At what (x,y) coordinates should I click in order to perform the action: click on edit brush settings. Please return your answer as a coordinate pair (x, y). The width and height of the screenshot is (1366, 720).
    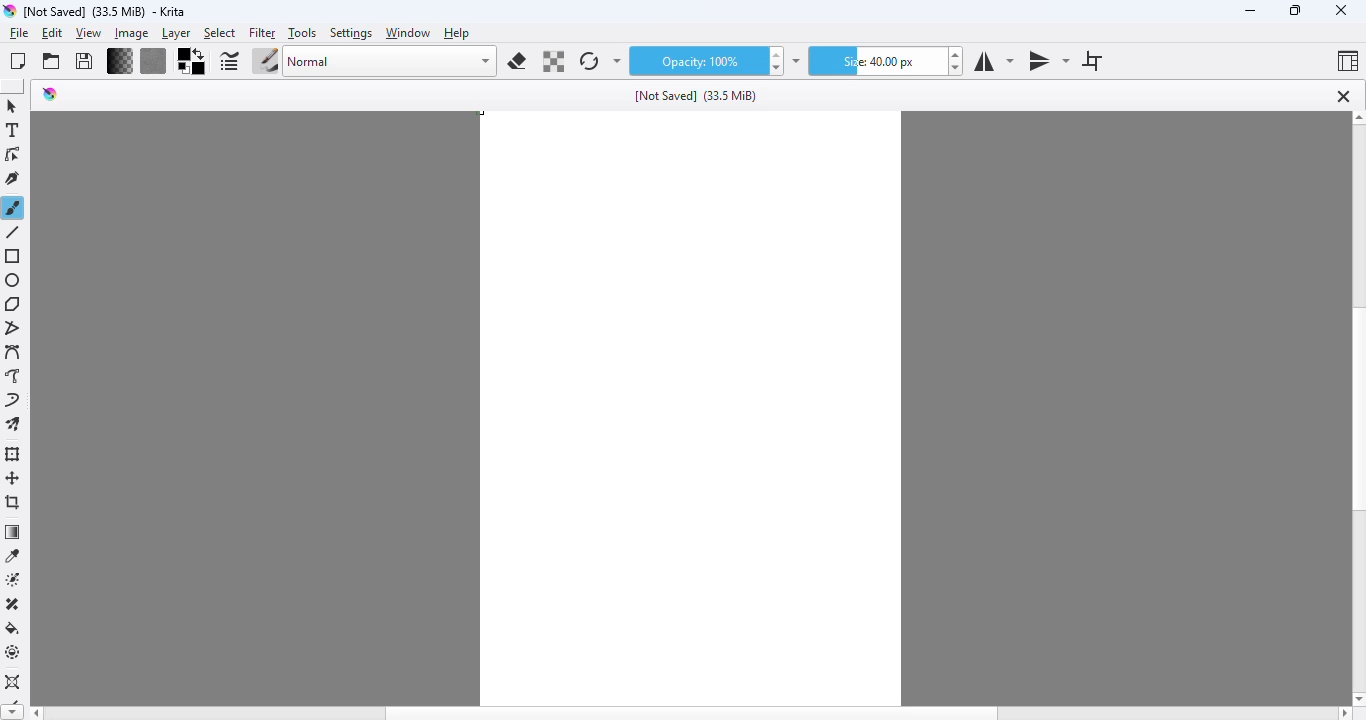
    Looking at the image, I should click on (230, 61).